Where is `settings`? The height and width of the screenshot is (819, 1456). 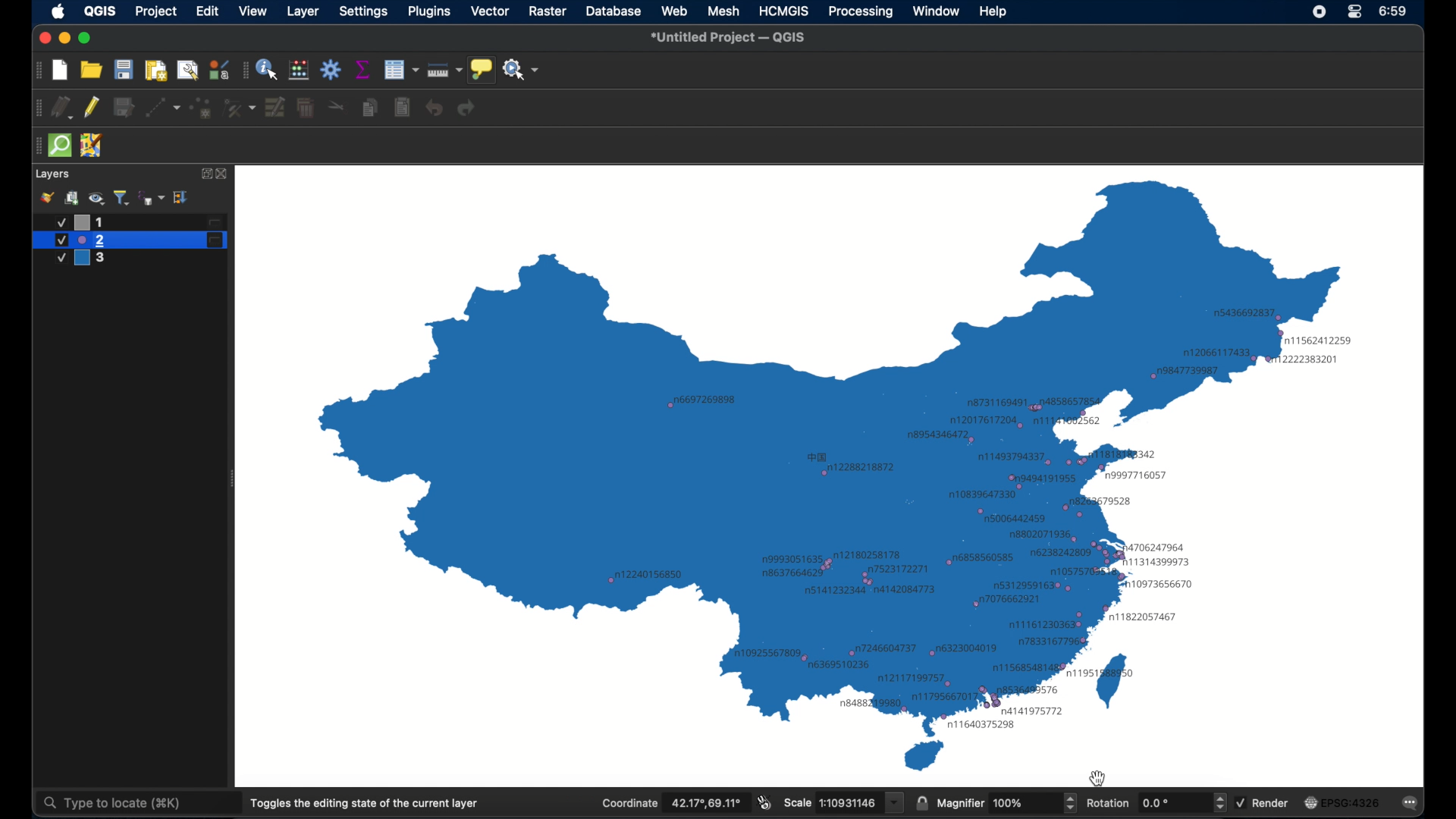 settings is located at coordinates (363, 12).